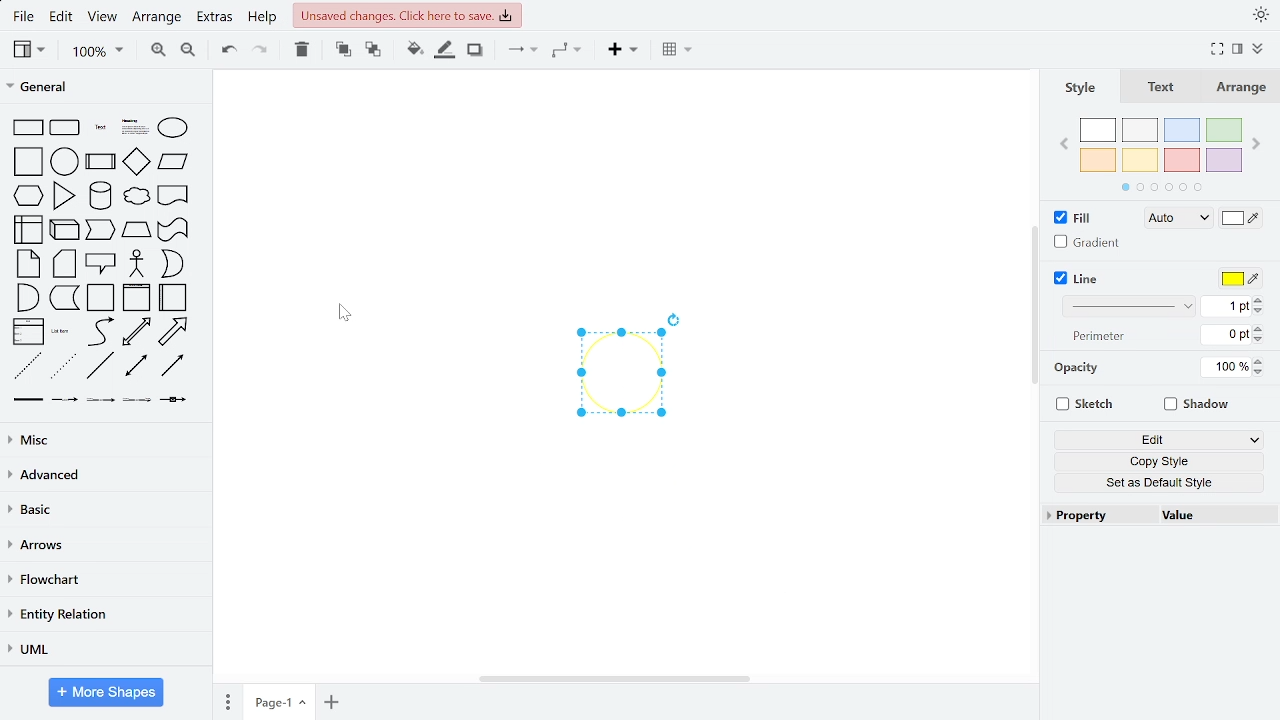 The height and width of the screenshot is (720, 1280). I want to click on entity relation, so click(102, 615).